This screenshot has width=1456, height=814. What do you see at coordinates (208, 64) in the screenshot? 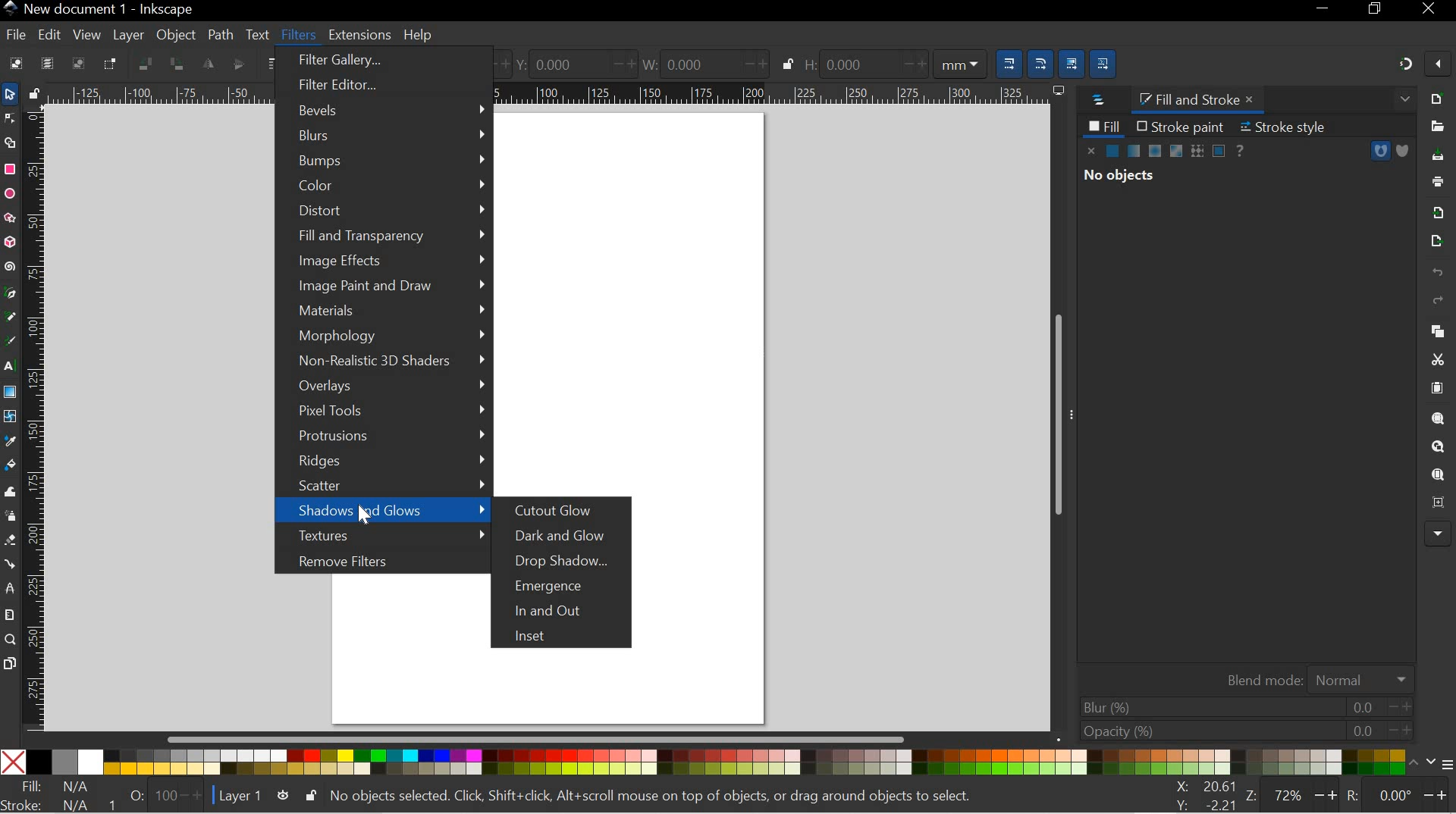
I see `OBJECT FLIP HORIZONTAL` at bounding box center [208, 64].